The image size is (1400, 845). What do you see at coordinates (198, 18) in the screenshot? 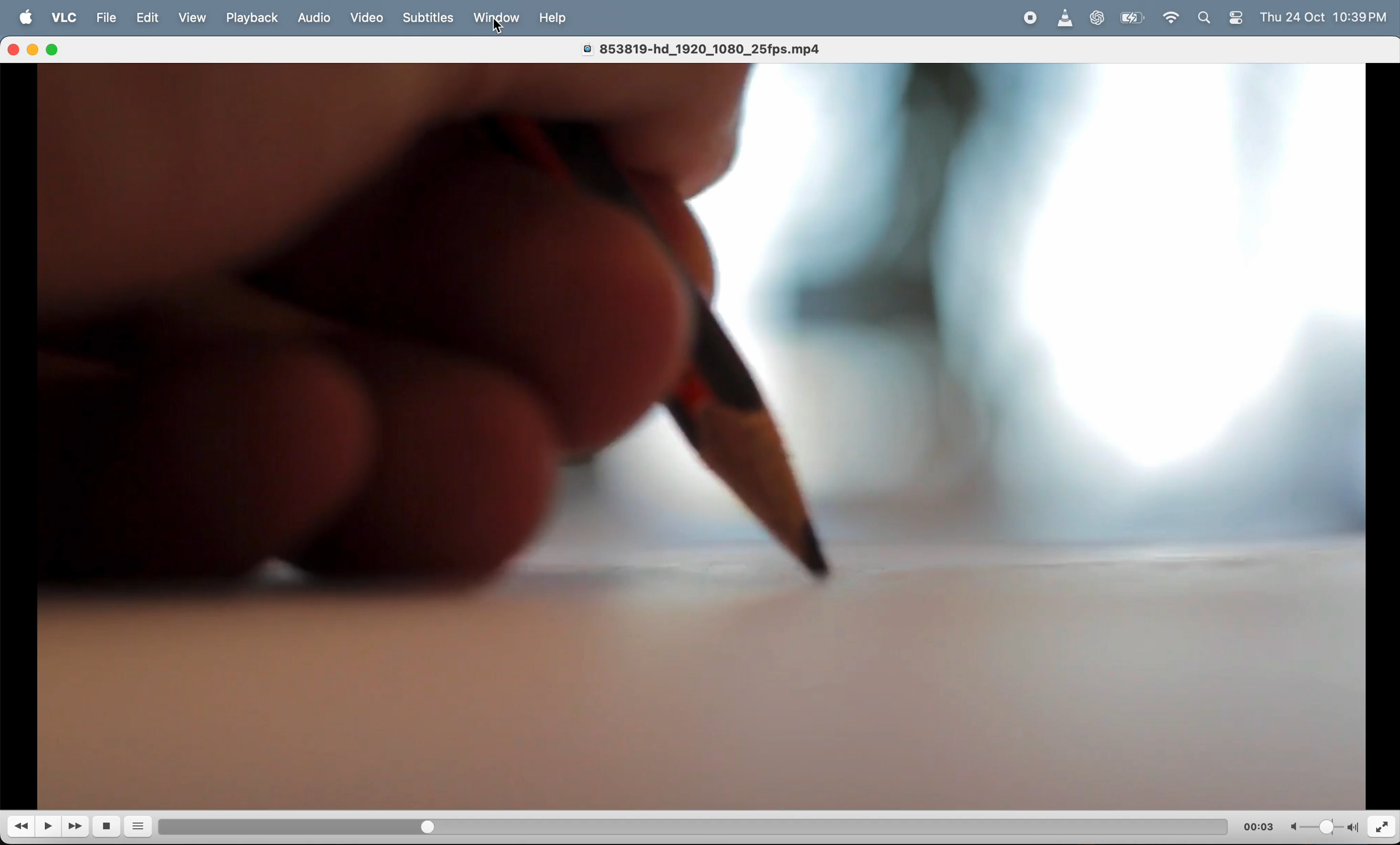
I see `view` at bounding box center [198, 18].